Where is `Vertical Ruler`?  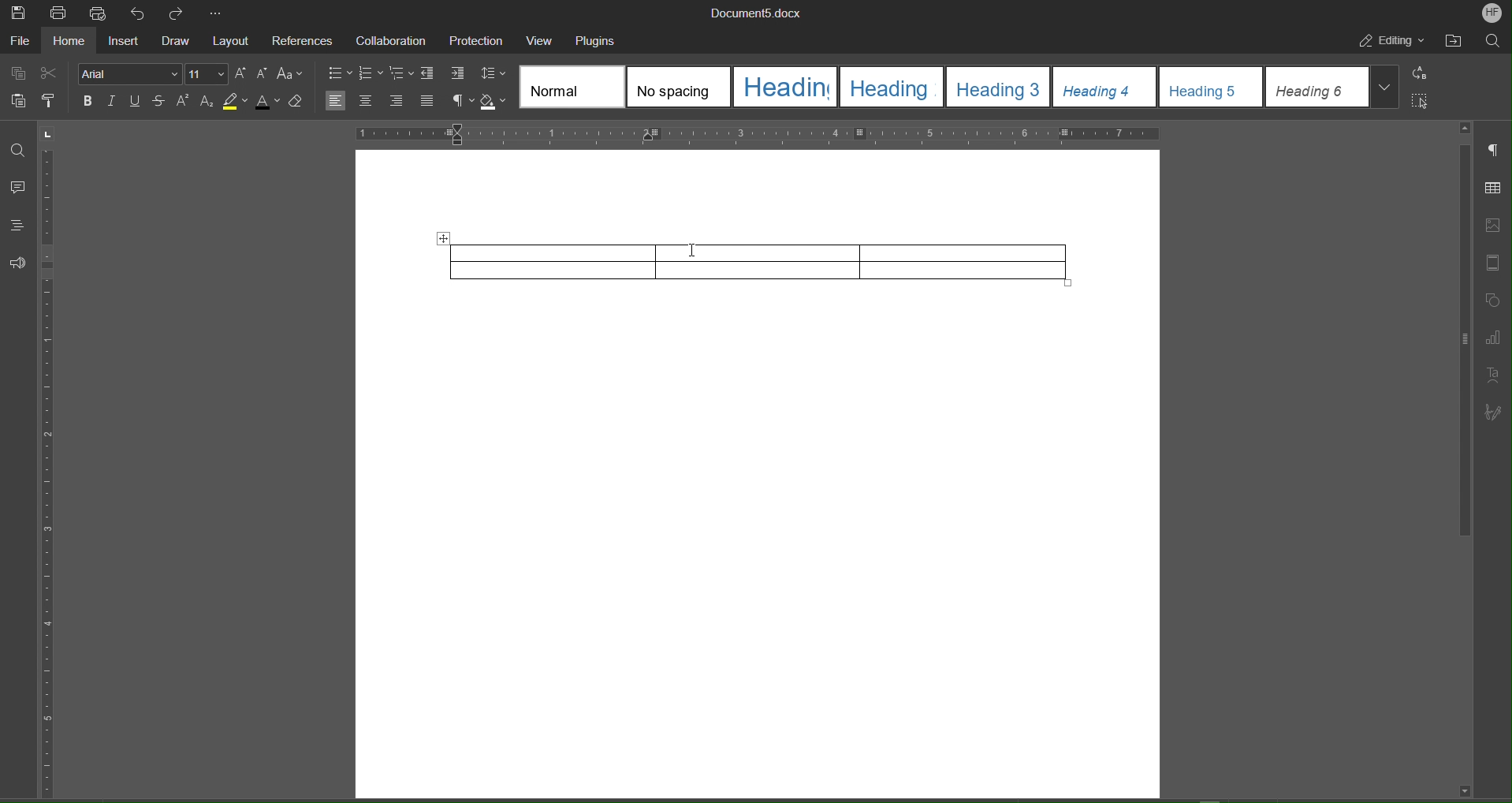 Vertical Ruler is located at coordinates (50, 472).